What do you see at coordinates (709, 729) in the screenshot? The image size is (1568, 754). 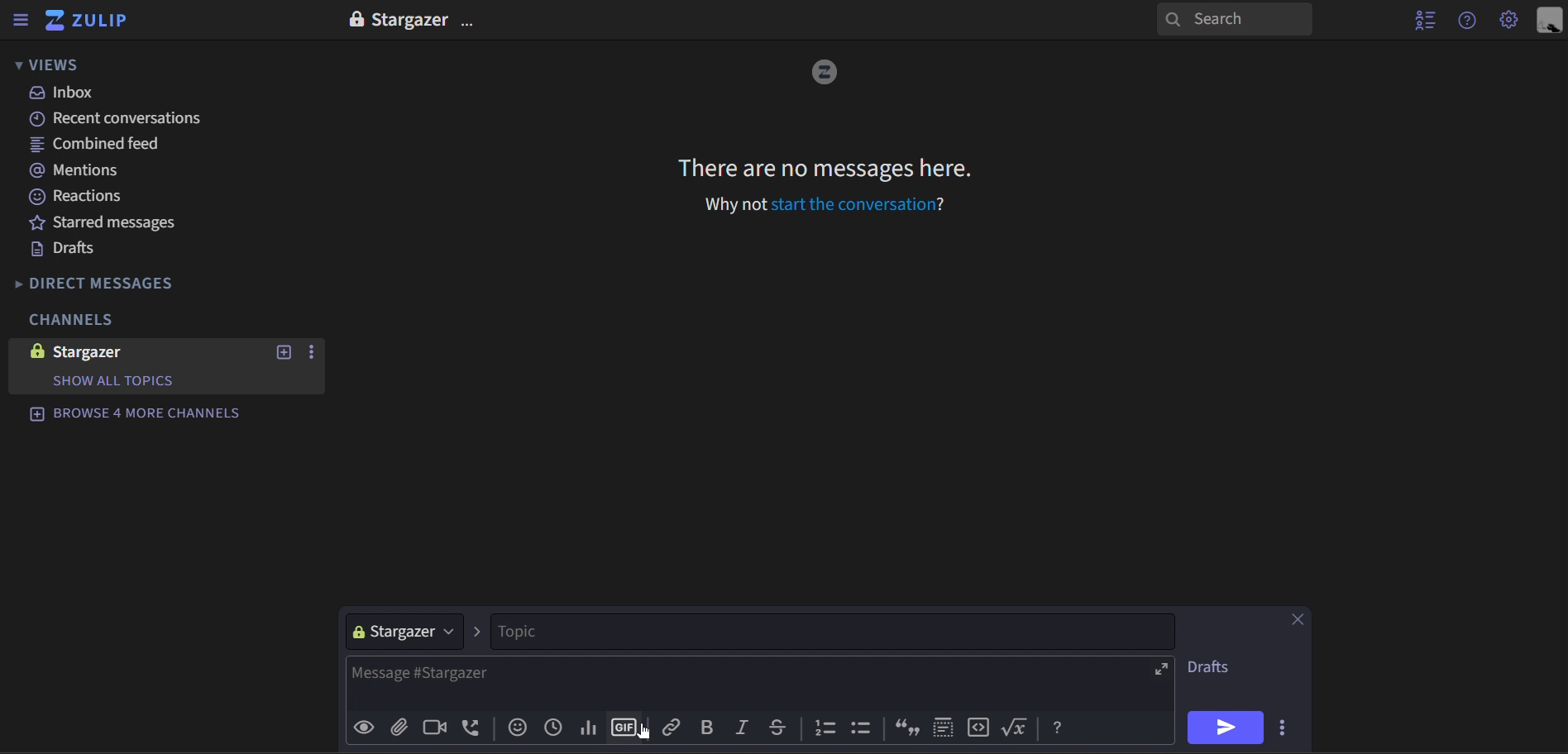 I see `bold` at bounding box center [709, 729].